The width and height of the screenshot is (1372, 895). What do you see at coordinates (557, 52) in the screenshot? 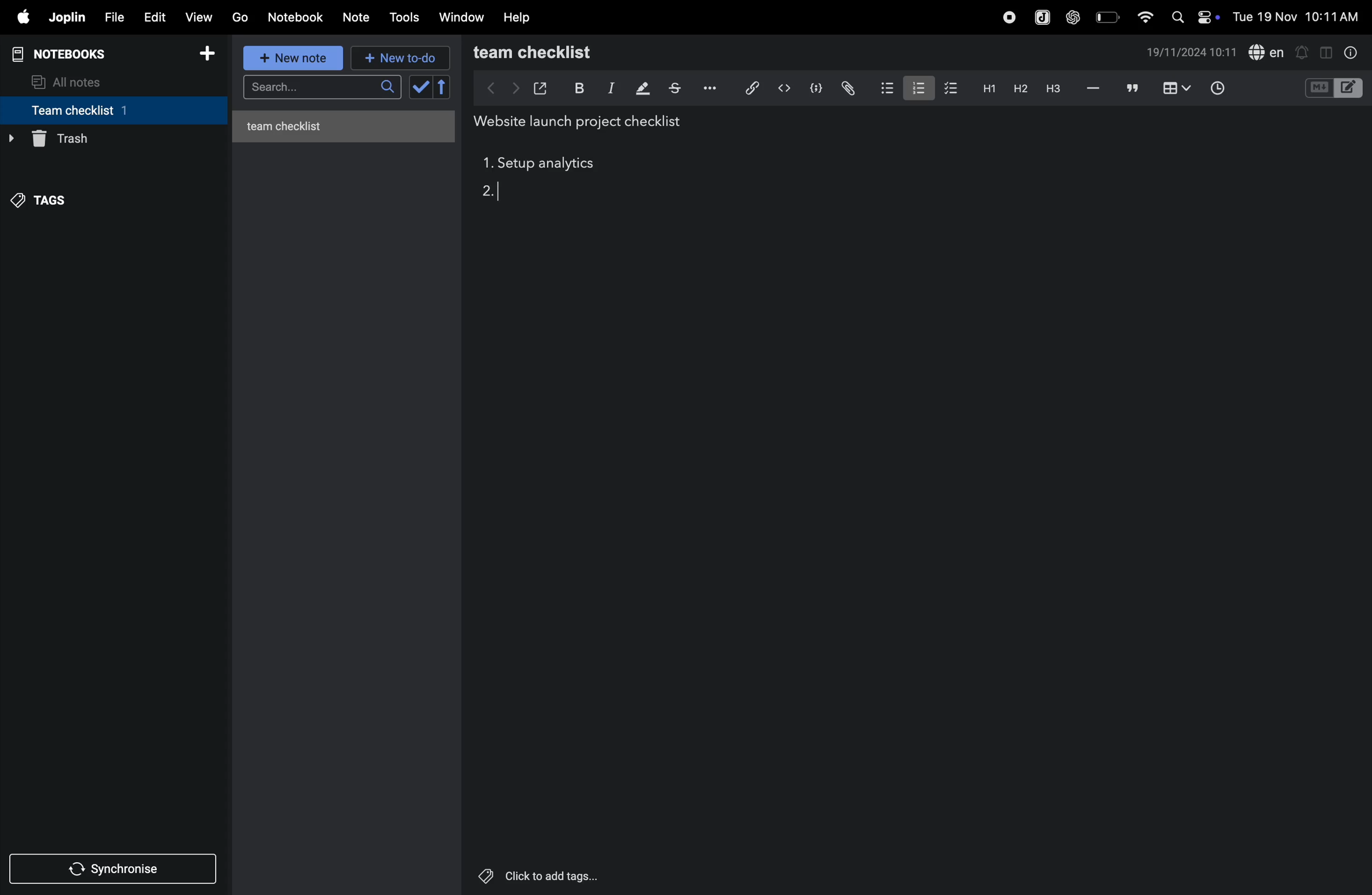
I see `team checklist` at bounding box center [557, 52].